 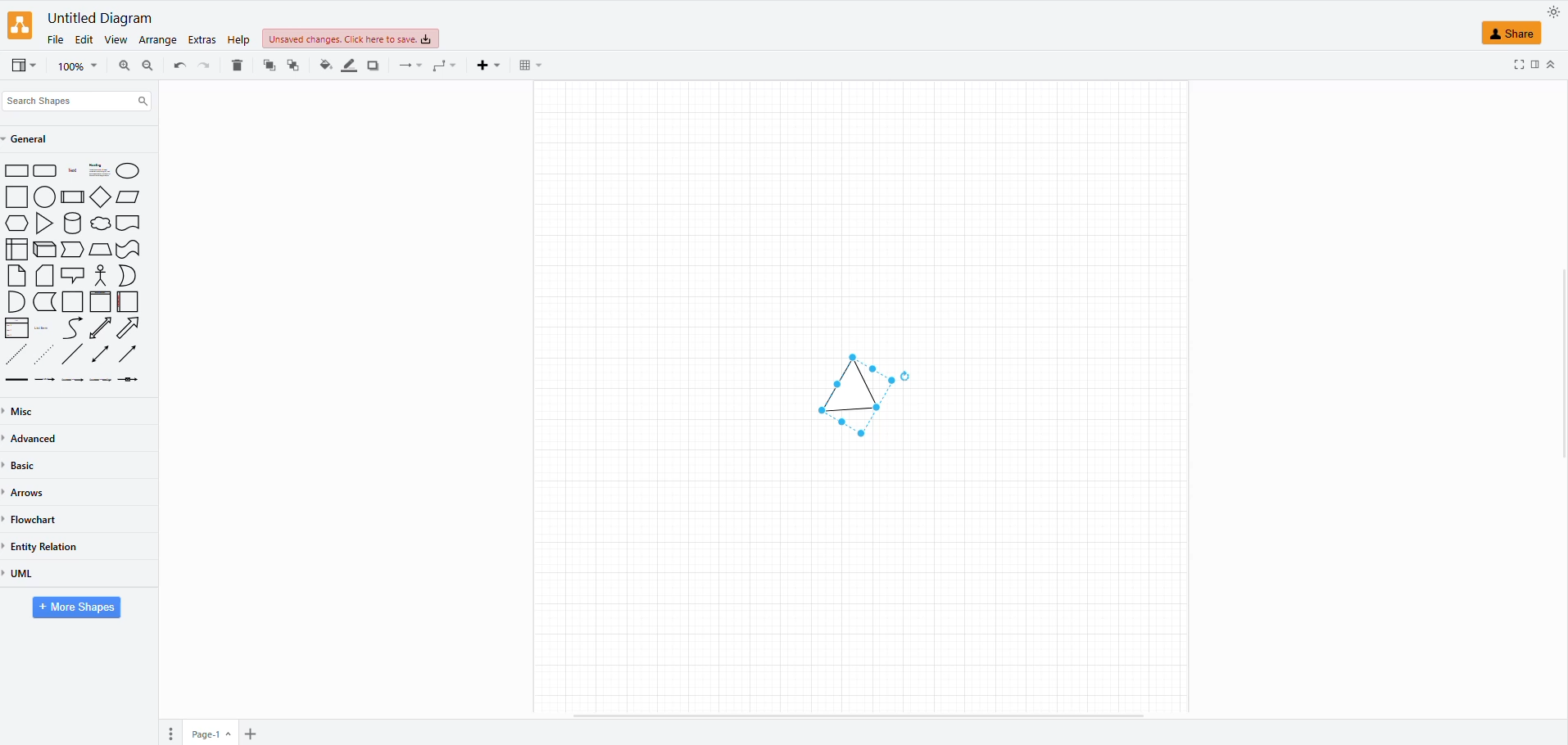 I want to click on Moon, so click(x=128, y=276).